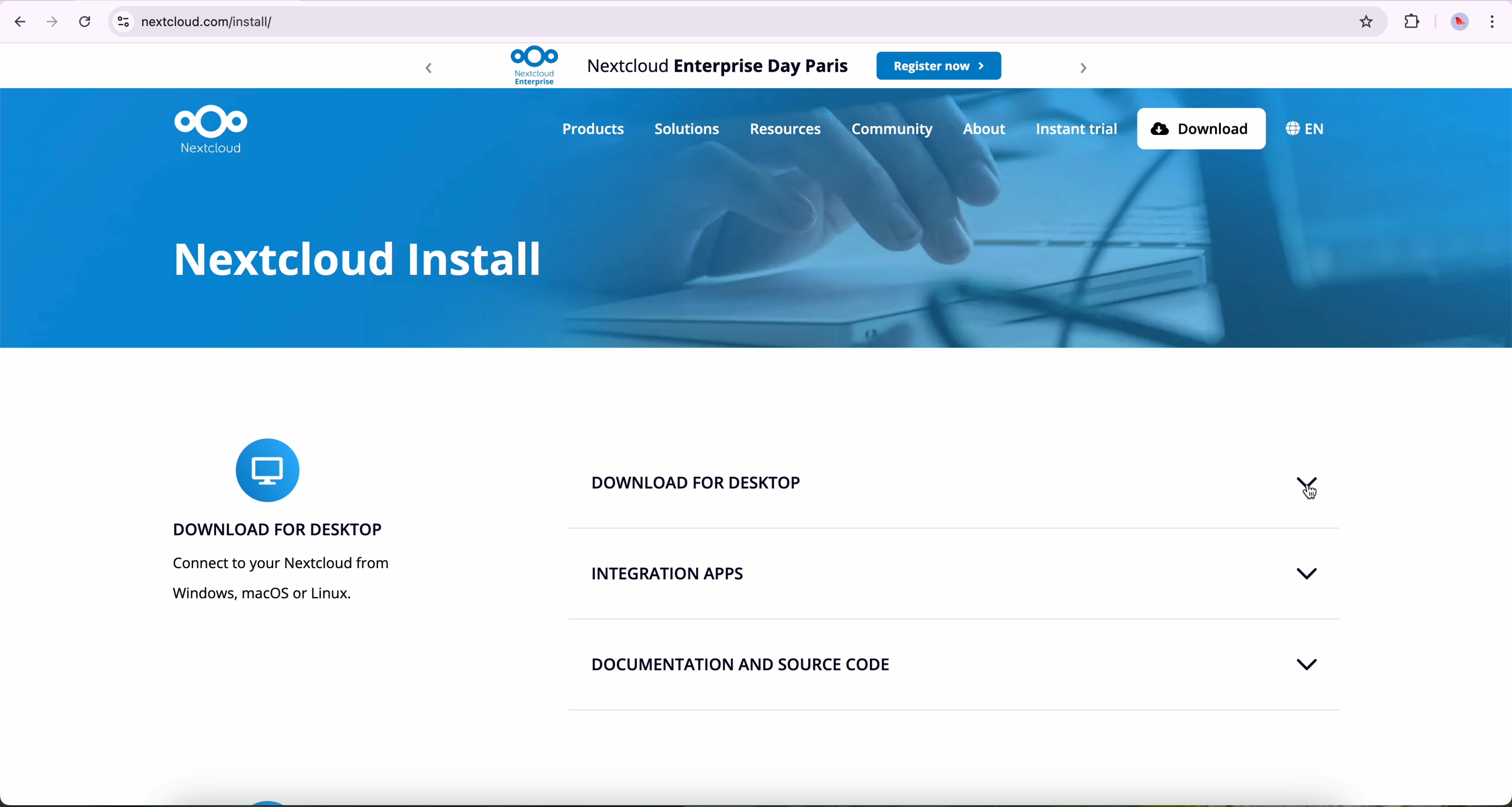  What do you see at coordinates (428, 69) in the screenshot?
I see `backward` at bounding box center [428, 69].